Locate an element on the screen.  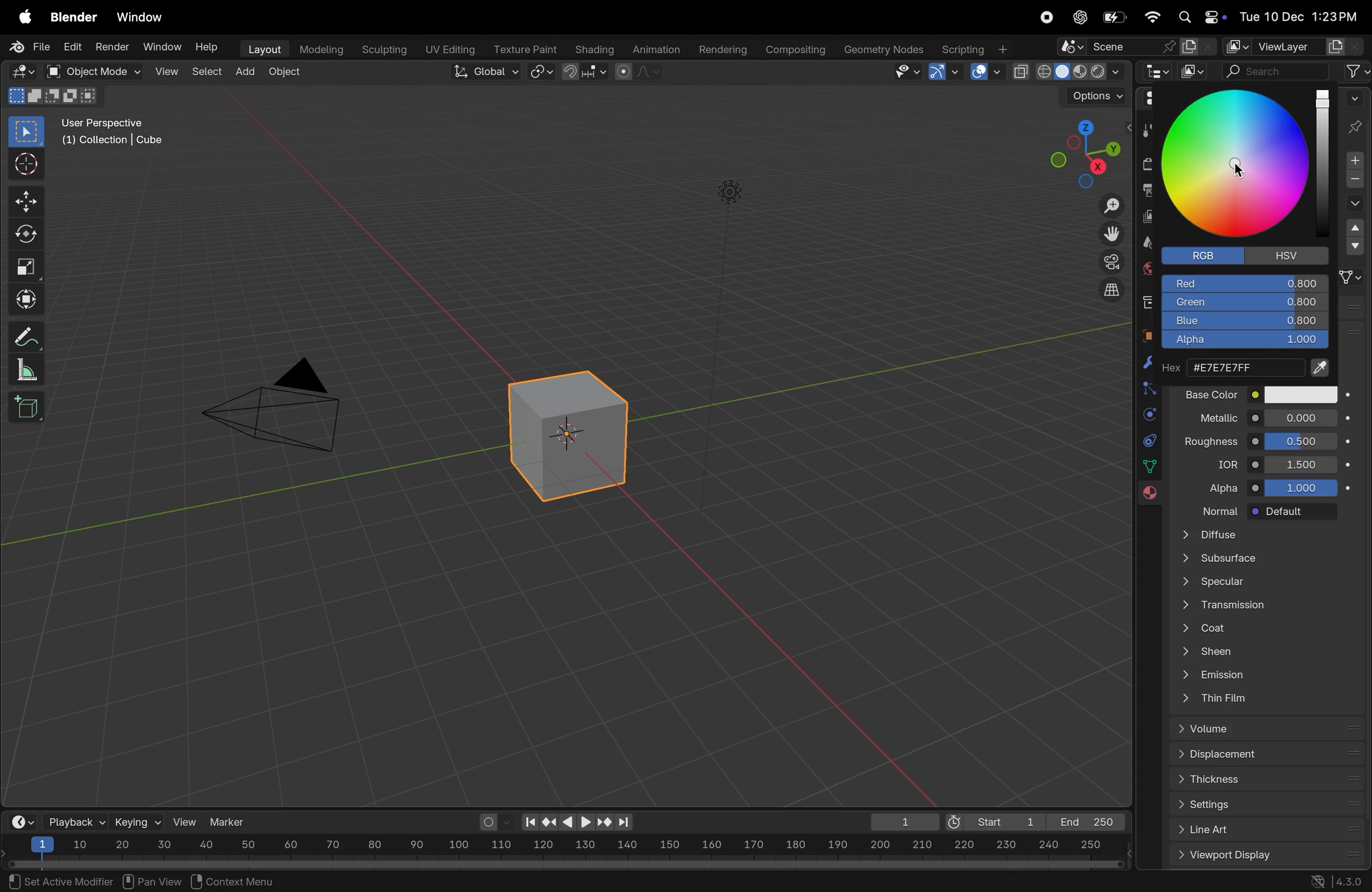
transmission is located at coordinates (1265, 604).